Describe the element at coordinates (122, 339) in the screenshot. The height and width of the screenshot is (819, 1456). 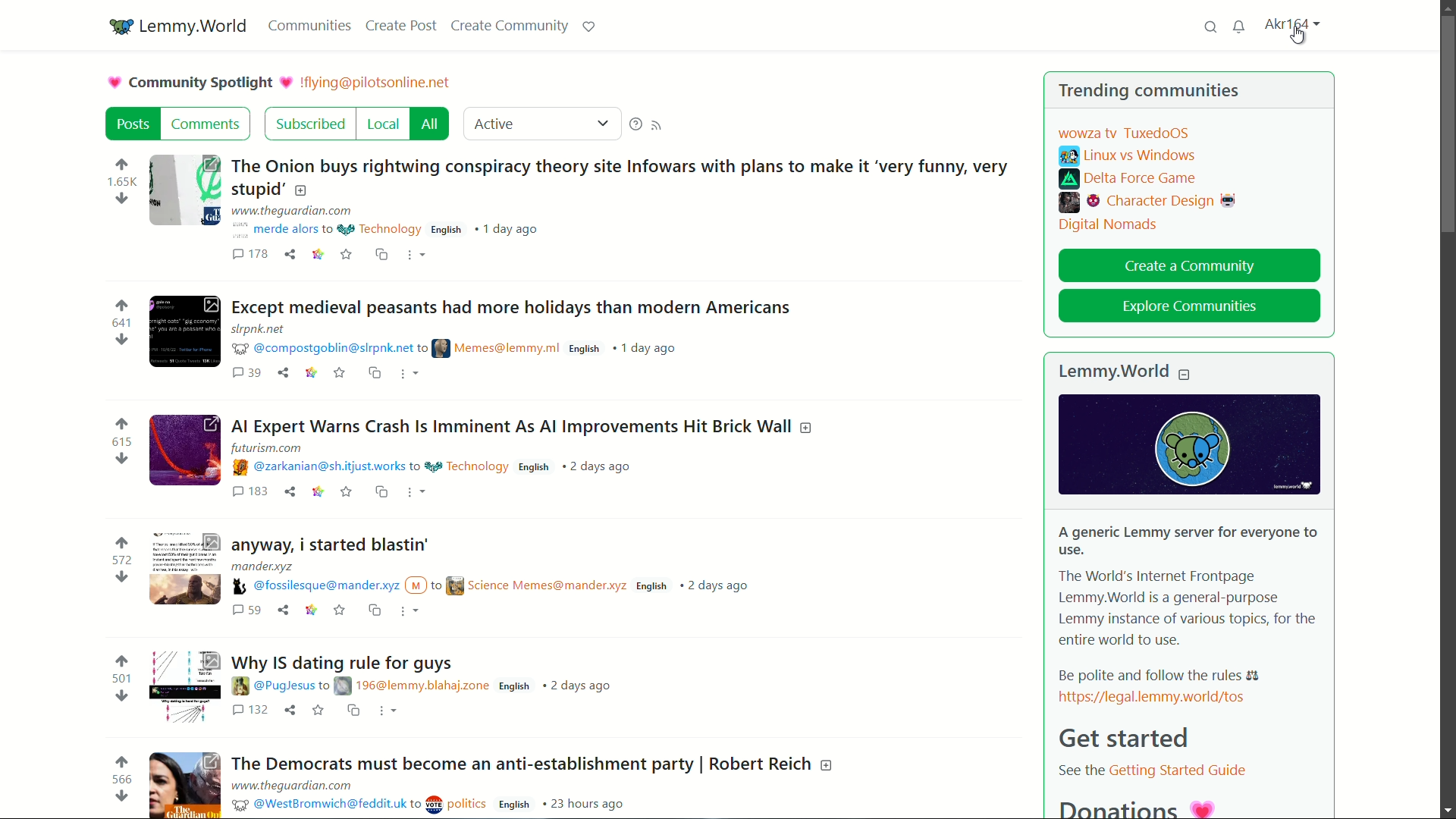
I see `downvote` at that location.